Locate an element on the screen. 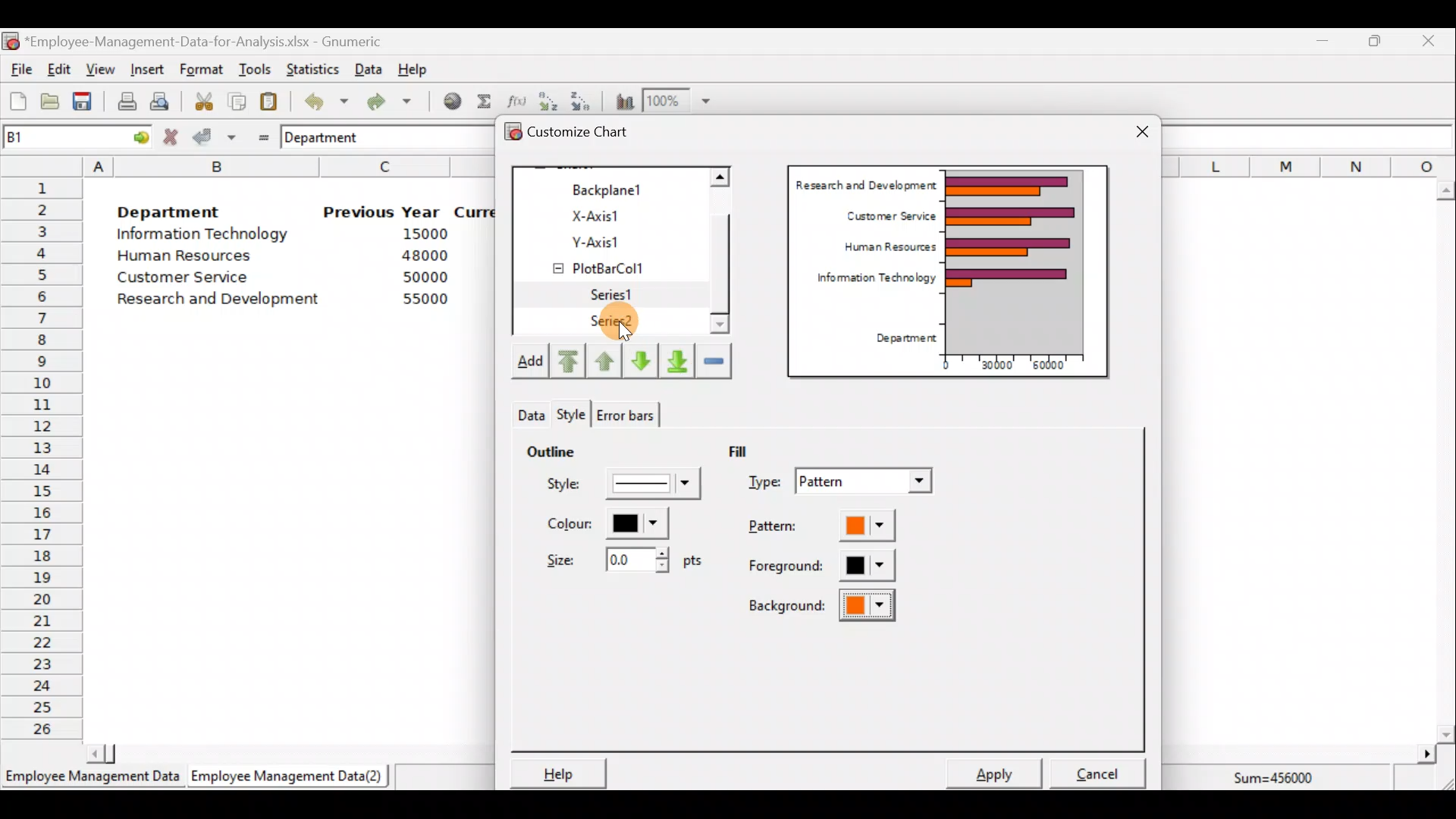 This screenshot has height=819, width=1456. Series2 is located at coordinates (615, 322).